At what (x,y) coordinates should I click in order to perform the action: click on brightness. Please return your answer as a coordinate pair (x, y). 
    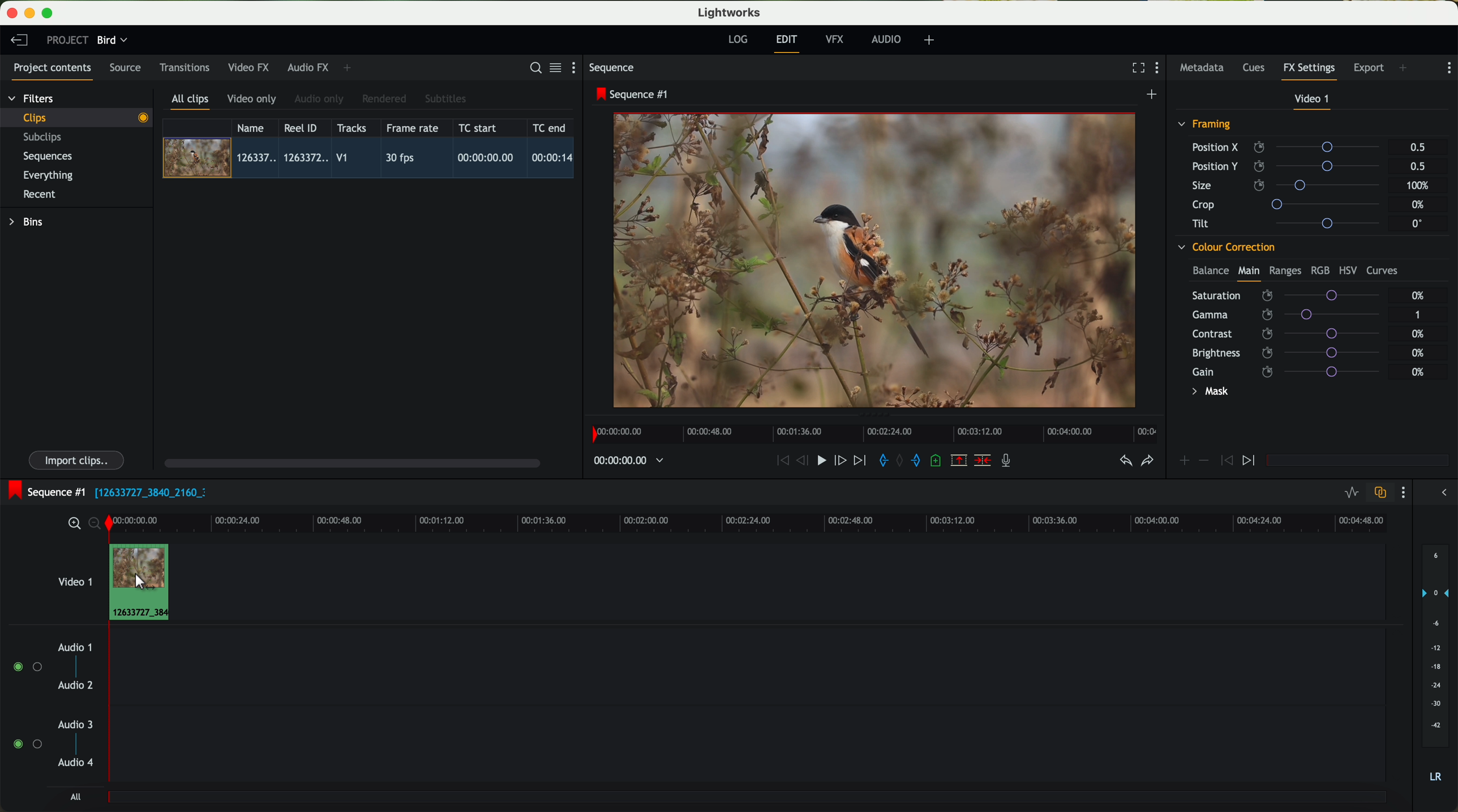
    Looking at the image, I should click on (1293, 353).